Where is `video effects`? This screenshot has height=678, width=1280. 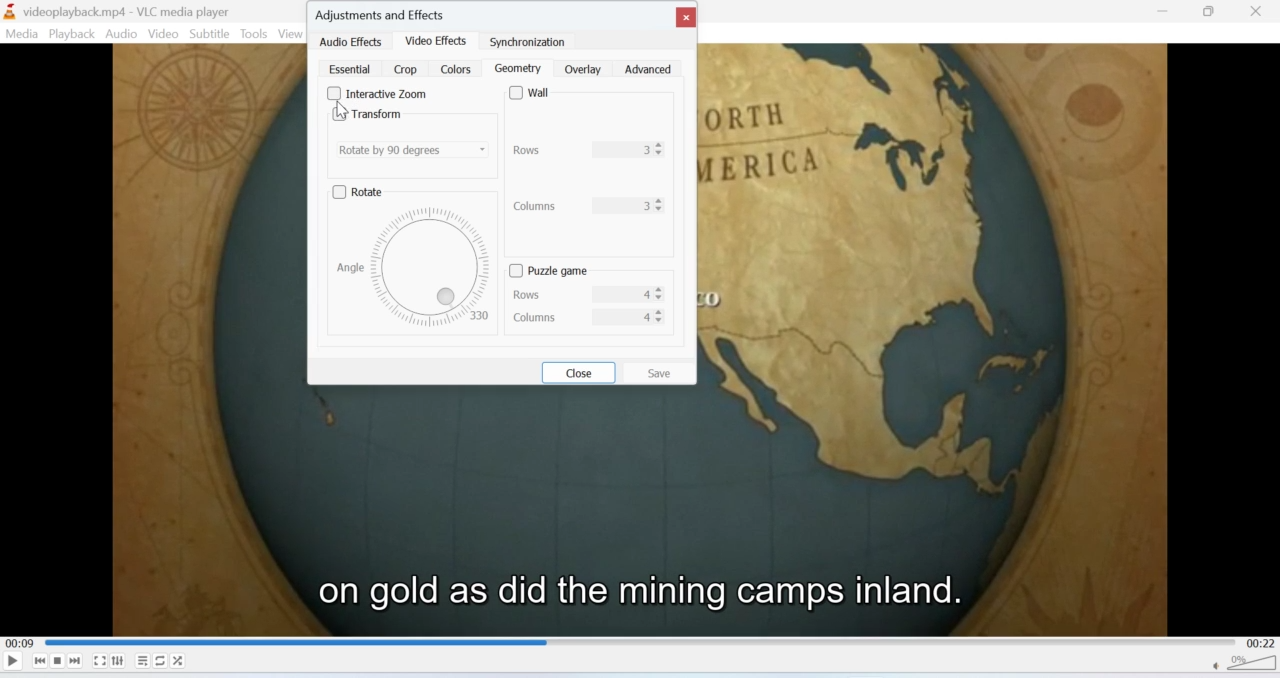
video effects is located at coordinates (438, 42).